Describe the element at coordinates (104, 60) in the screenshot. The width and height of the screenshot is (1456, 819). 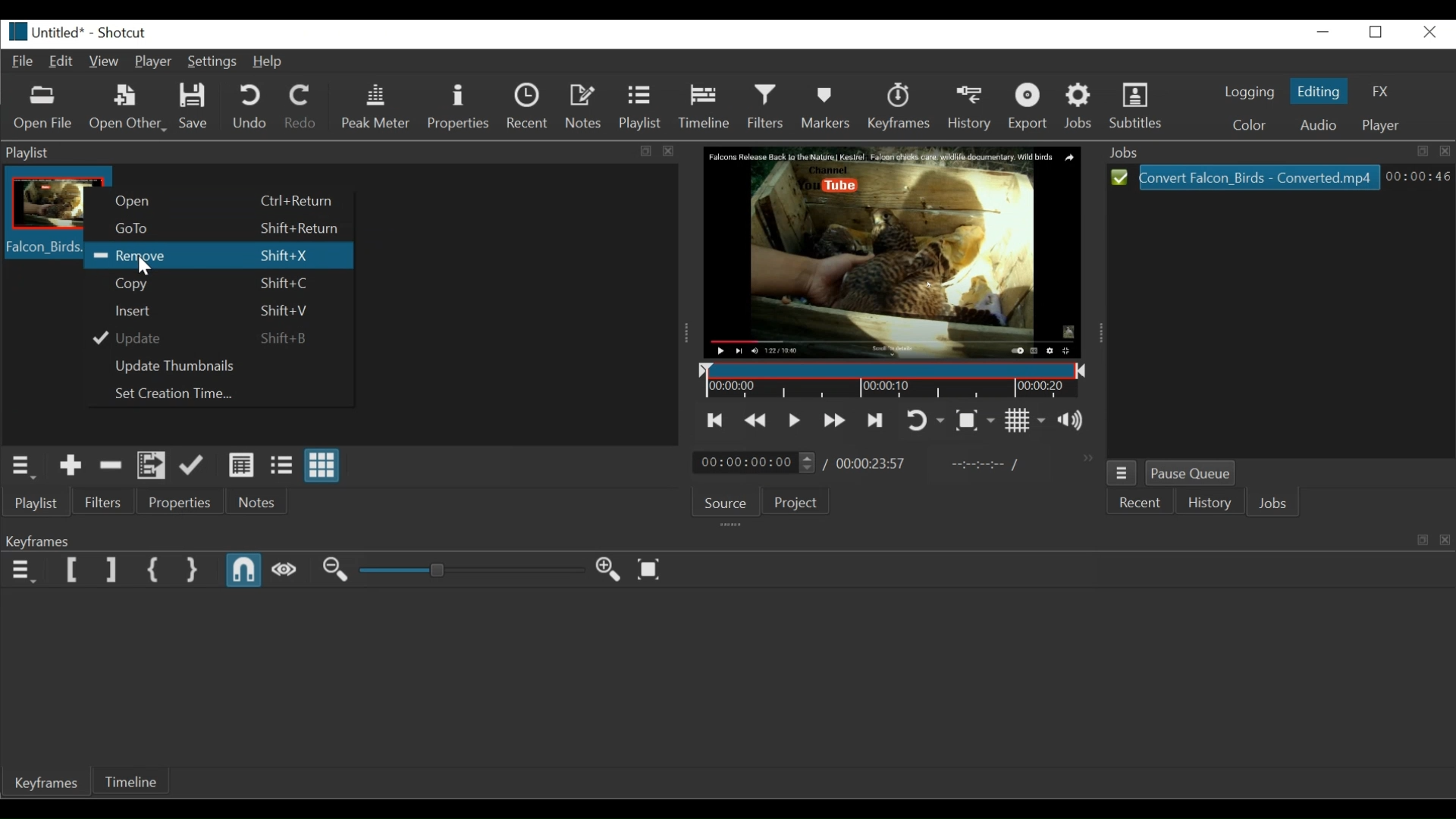
I see `View` at that location.